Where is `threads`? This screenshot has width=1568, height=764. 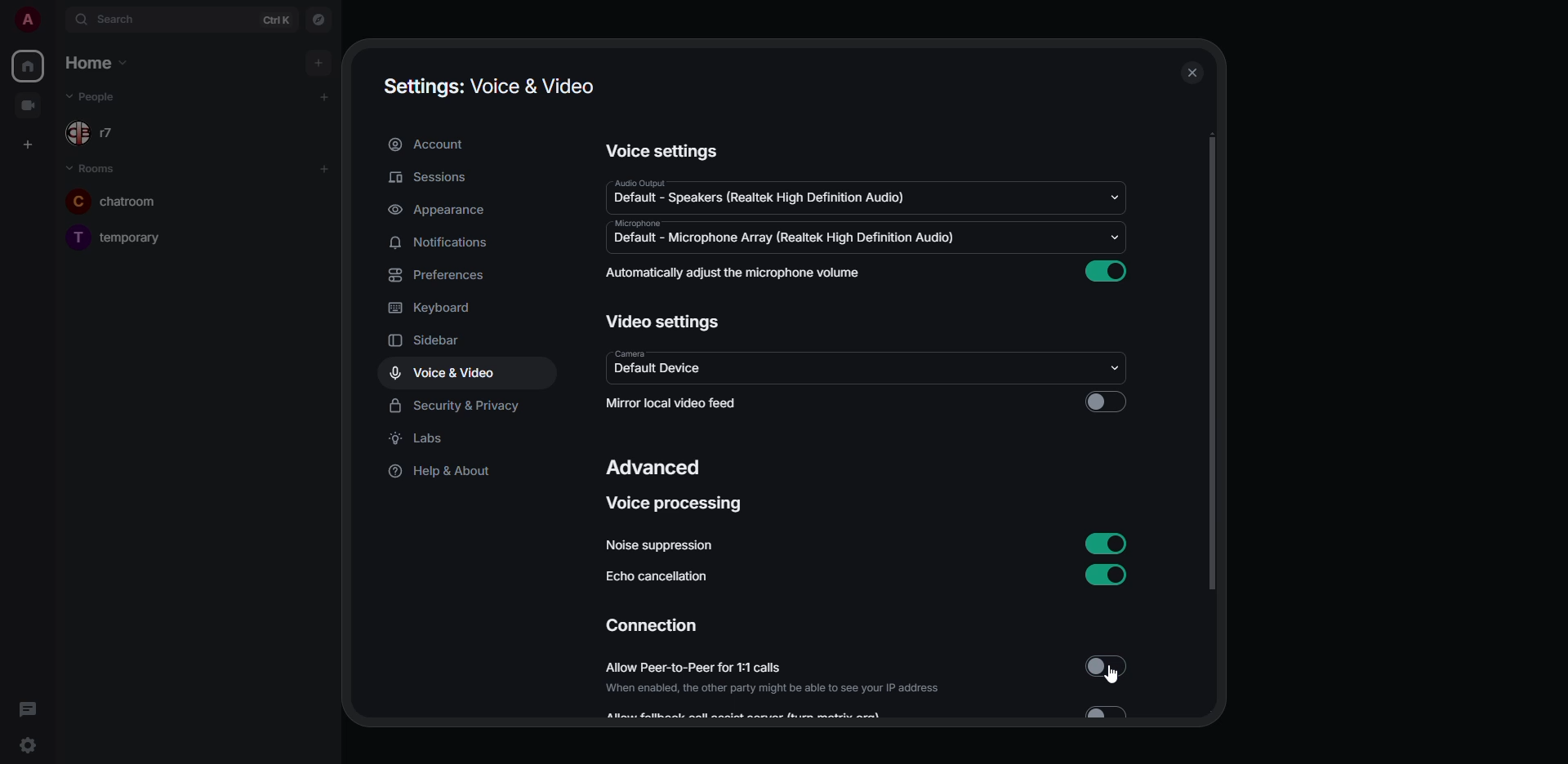 threads is located at coordinates (26, 708).